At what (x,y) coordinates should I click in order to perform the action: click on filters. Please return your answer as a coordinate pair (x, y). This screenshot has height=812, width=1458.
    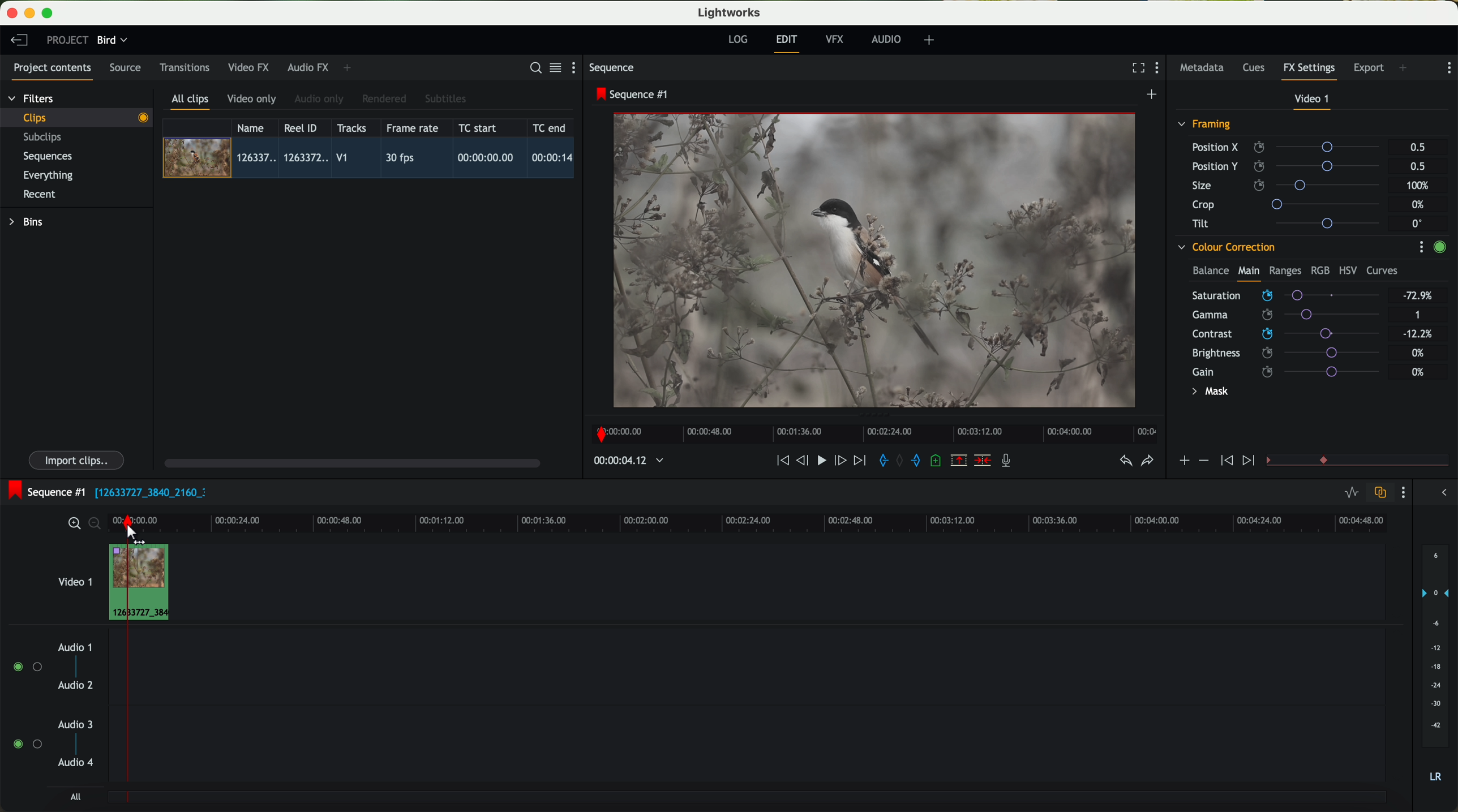
    Looking at the image, I should click on (32, 98).